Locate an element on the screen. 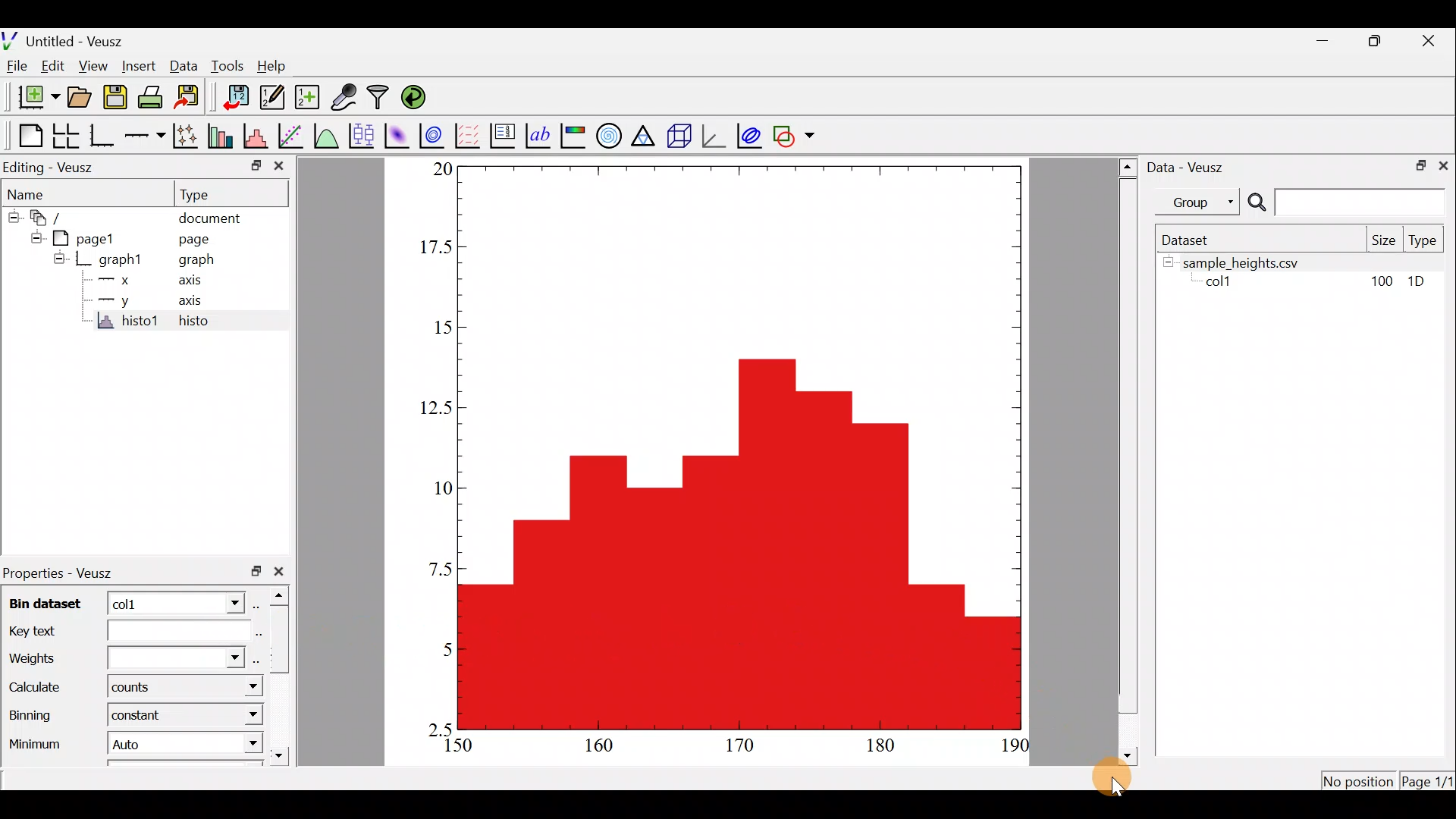  17.5 is located at coordinates (432, 247).